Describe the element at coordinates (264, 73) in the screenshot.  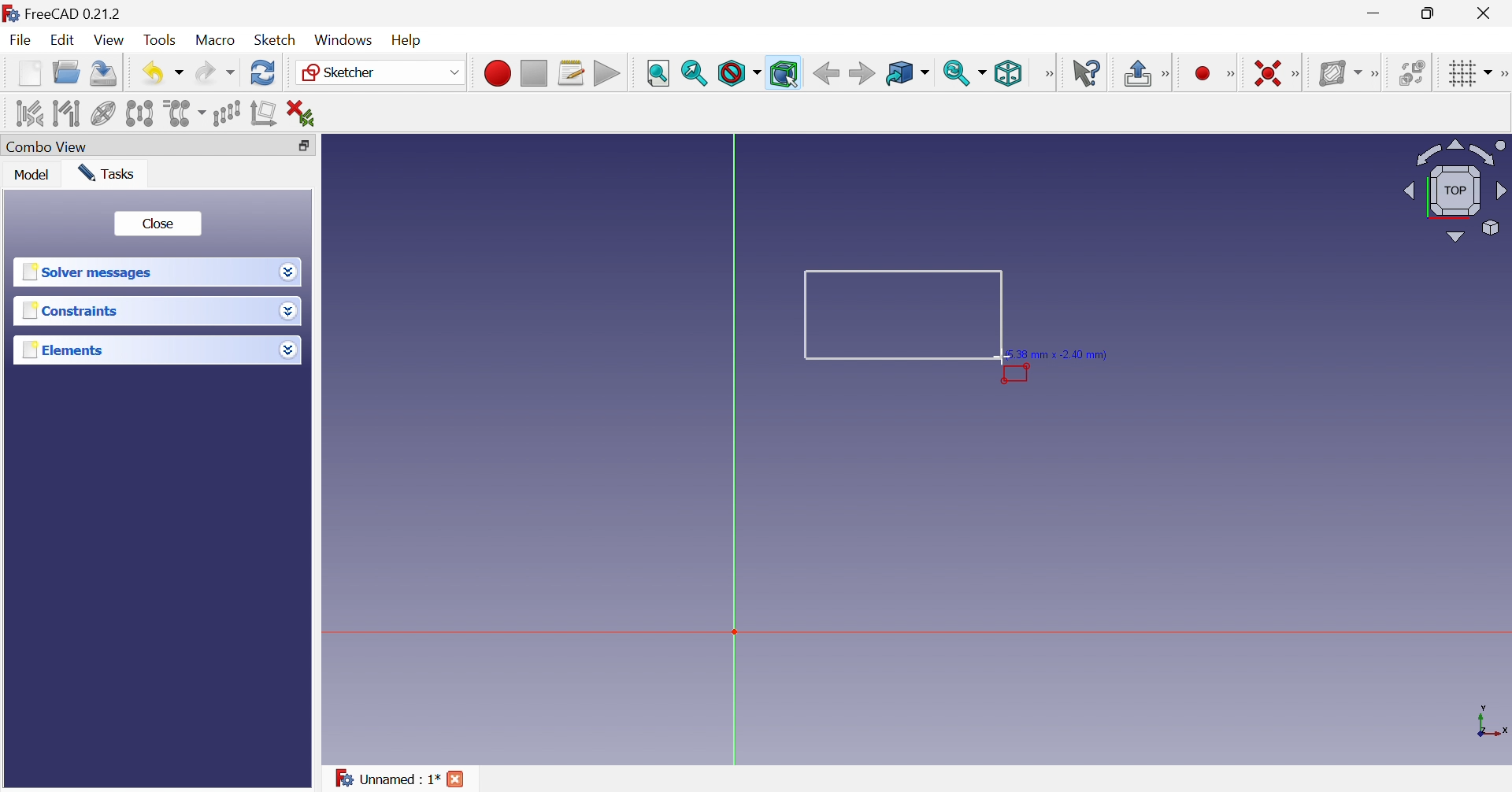
I see `Refresh` at that location.